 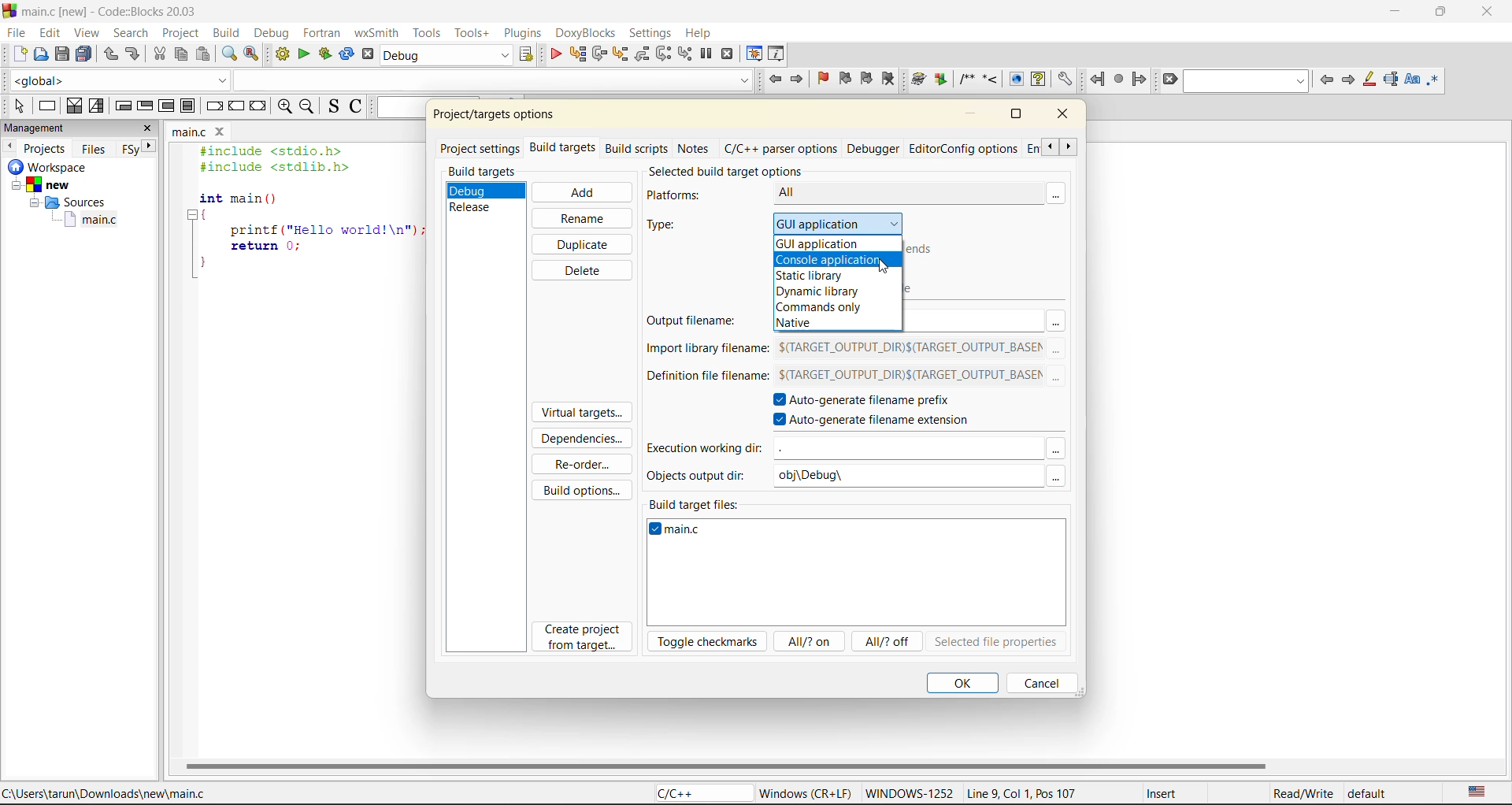 I want to click on paste, so click(x=206, y=55).